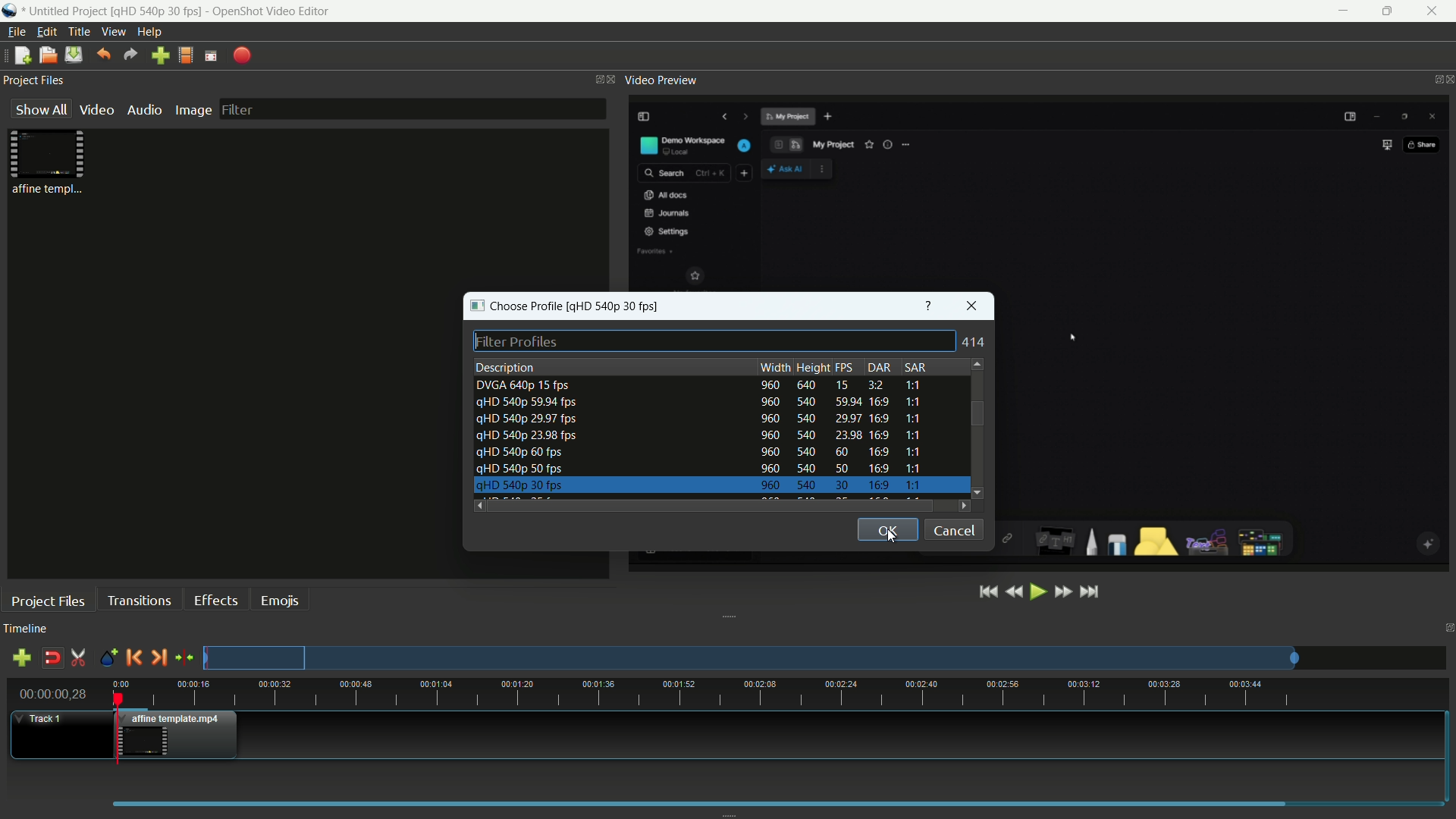 The image size is (1456, 819). I want to click on save file, so click(73, 55).